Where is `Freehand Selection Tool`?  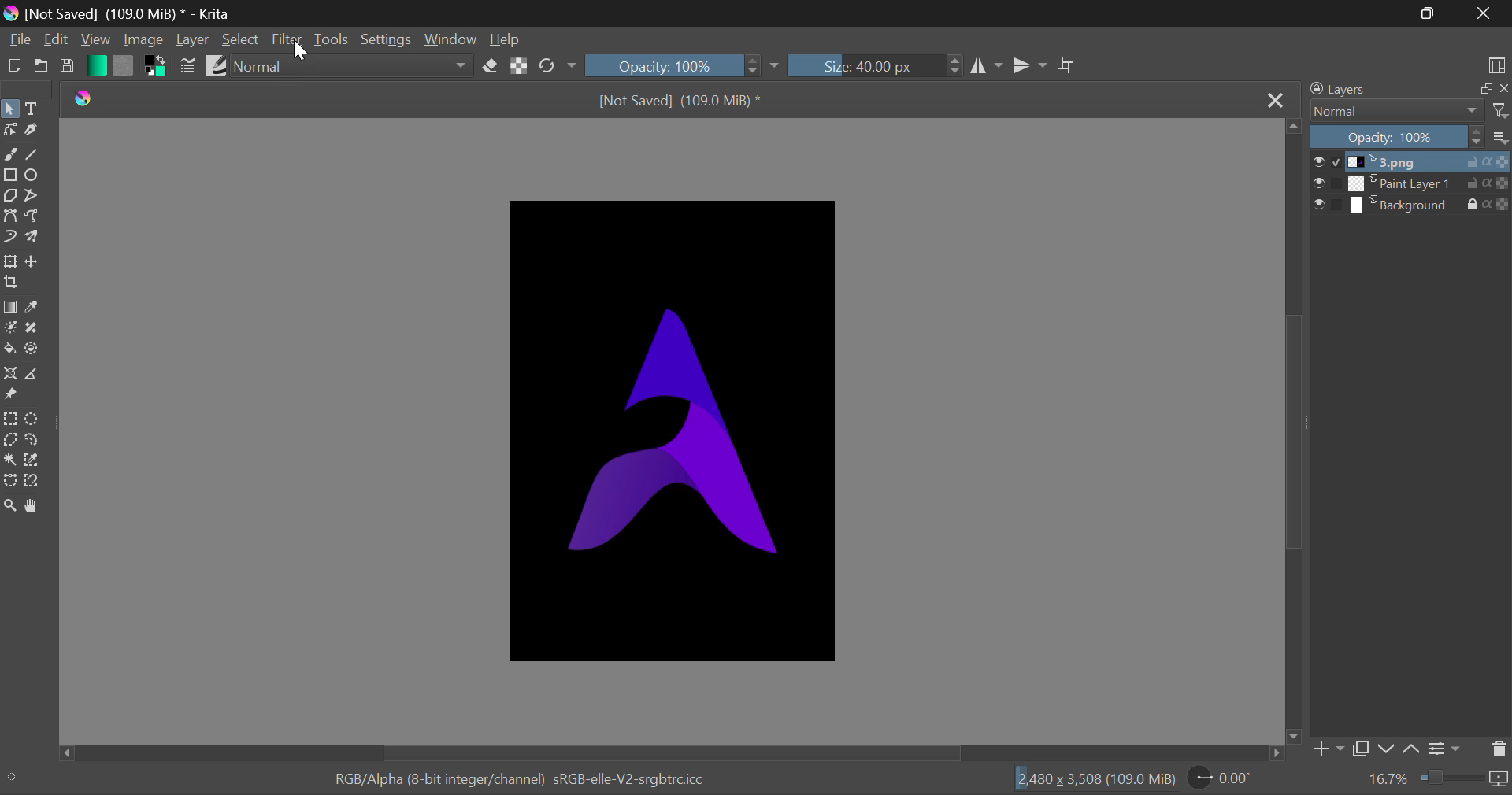 Freehand Selection Tool is located at coordinates (32, 441).